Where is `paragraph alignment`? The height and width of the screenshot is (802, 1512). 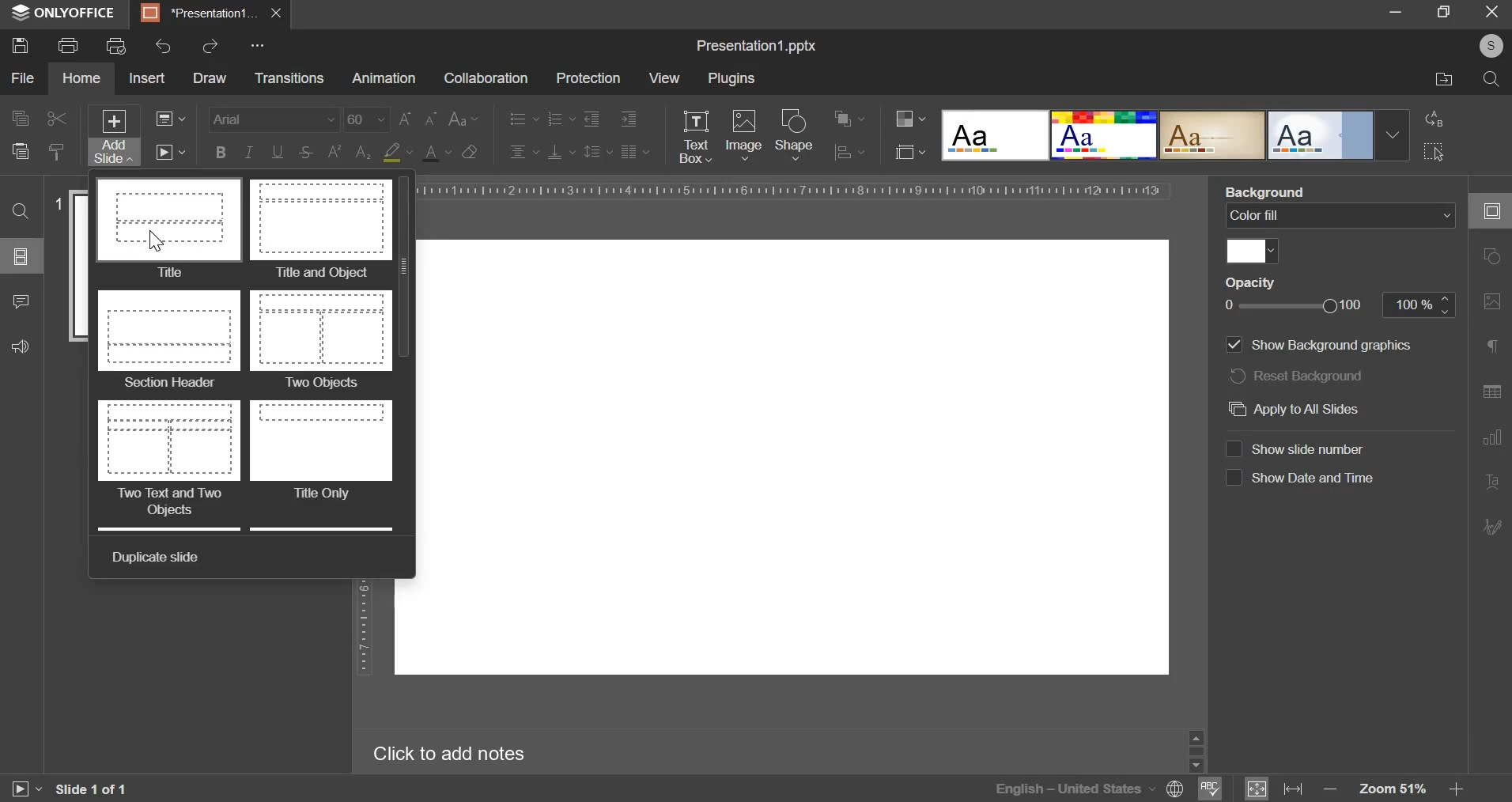 paragraph alignment is located at coordinates (634, 151).